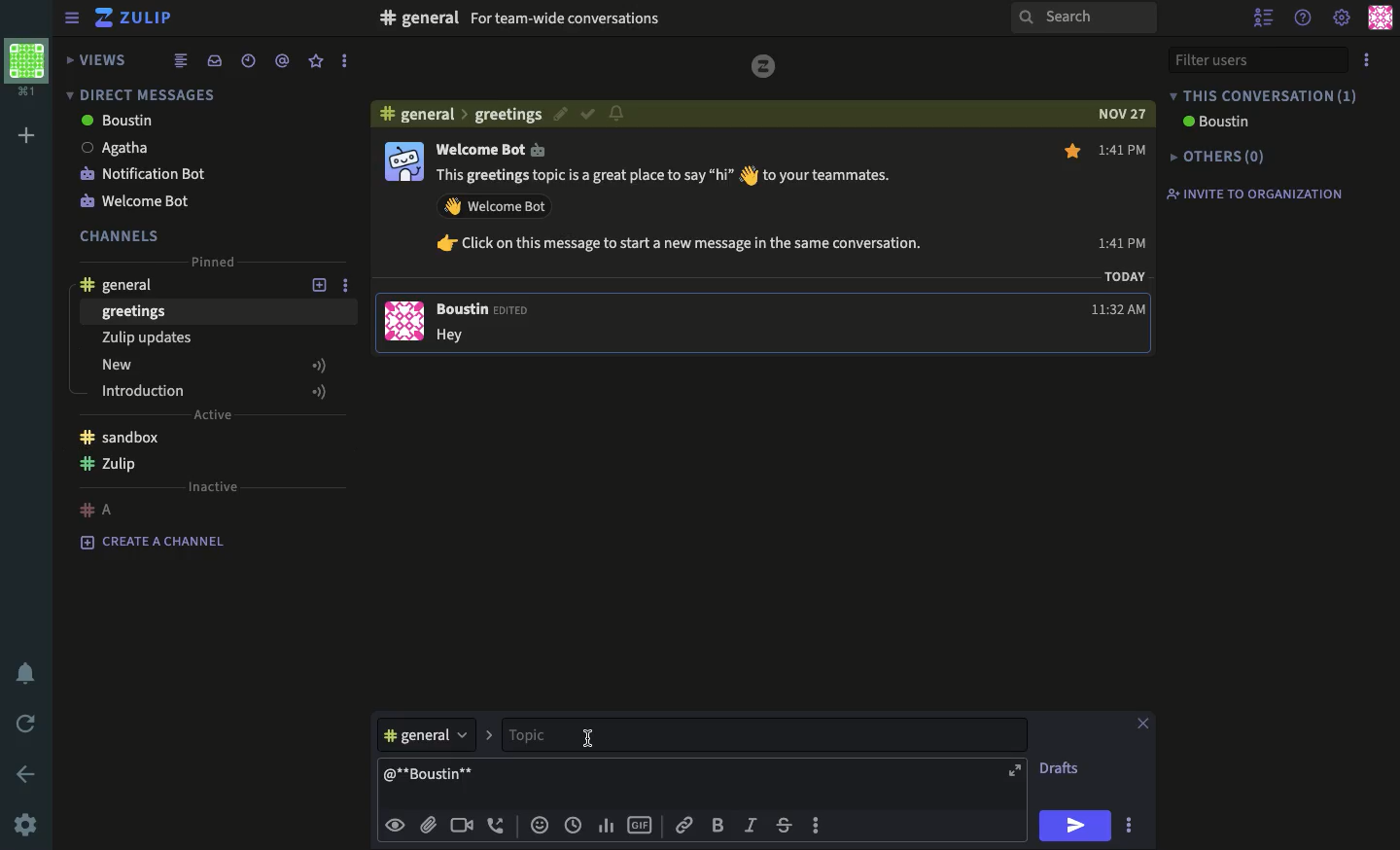 This screenshot has height=850, width=1400. I want to click on options, so click(351, 287).